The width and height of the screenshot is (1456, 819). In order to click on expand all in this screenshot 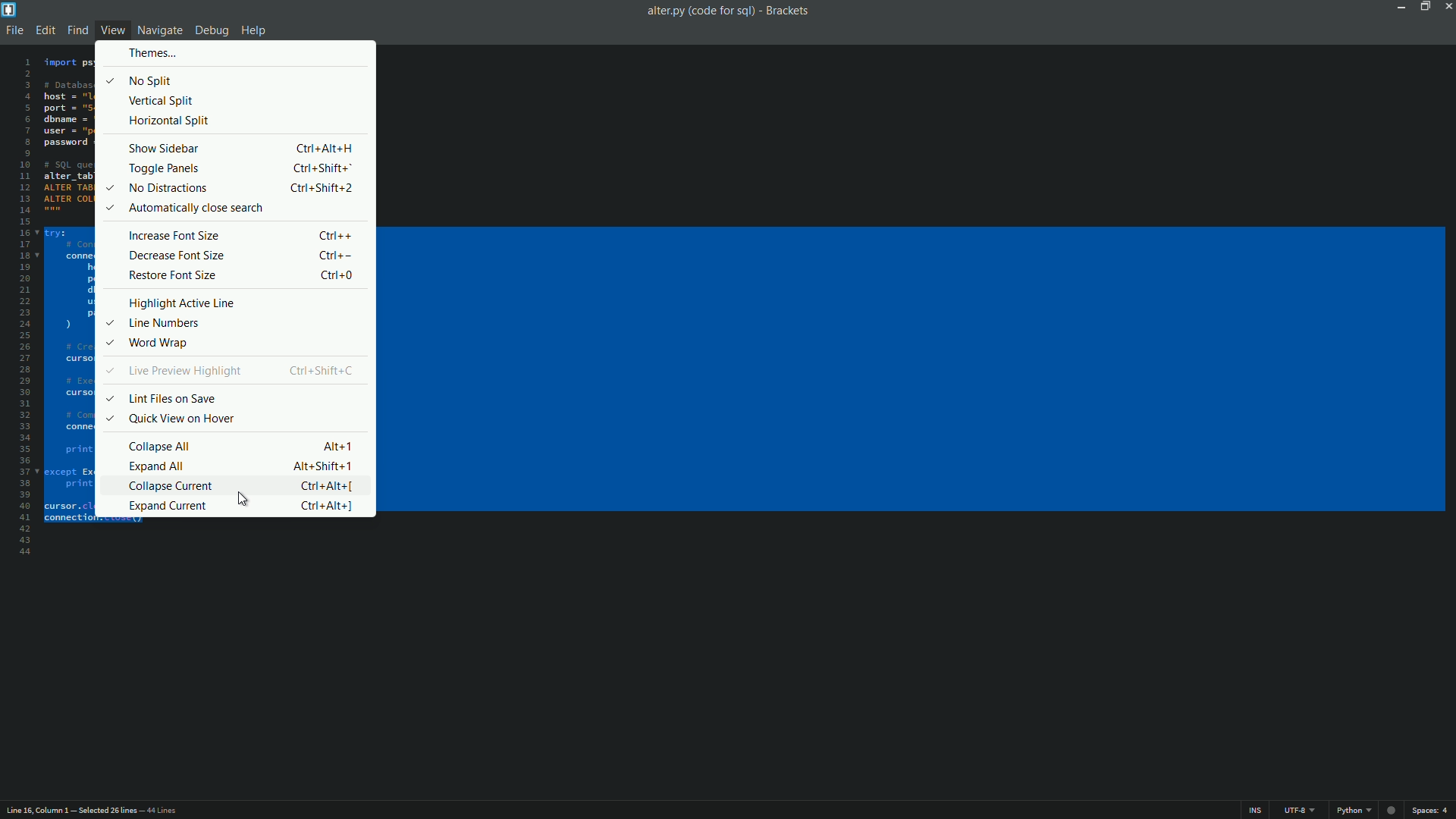, I will do `click(158, 466)`.